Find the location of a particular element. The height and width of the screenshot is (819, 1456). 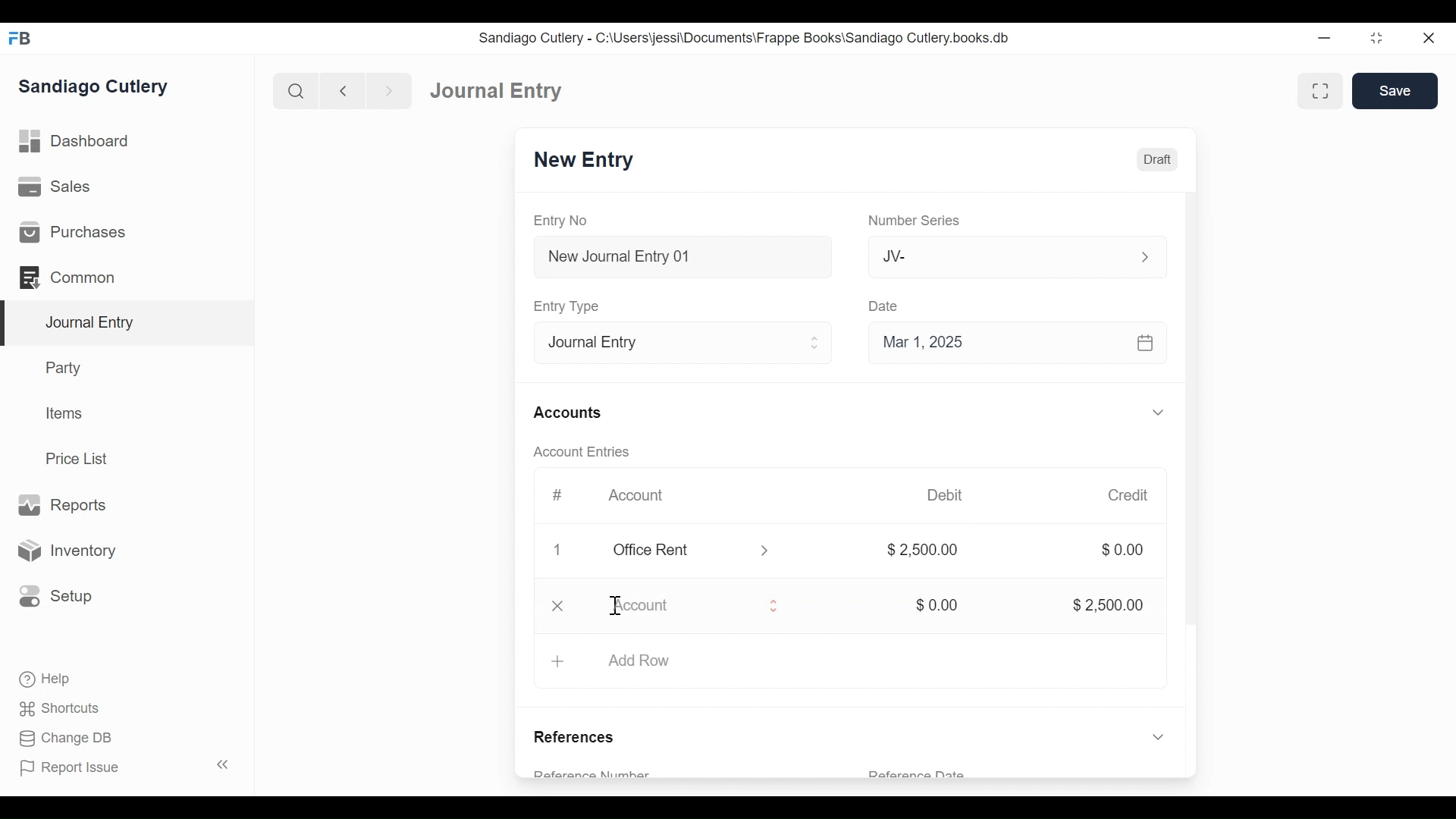

Help is located at coordinates (38, 680).